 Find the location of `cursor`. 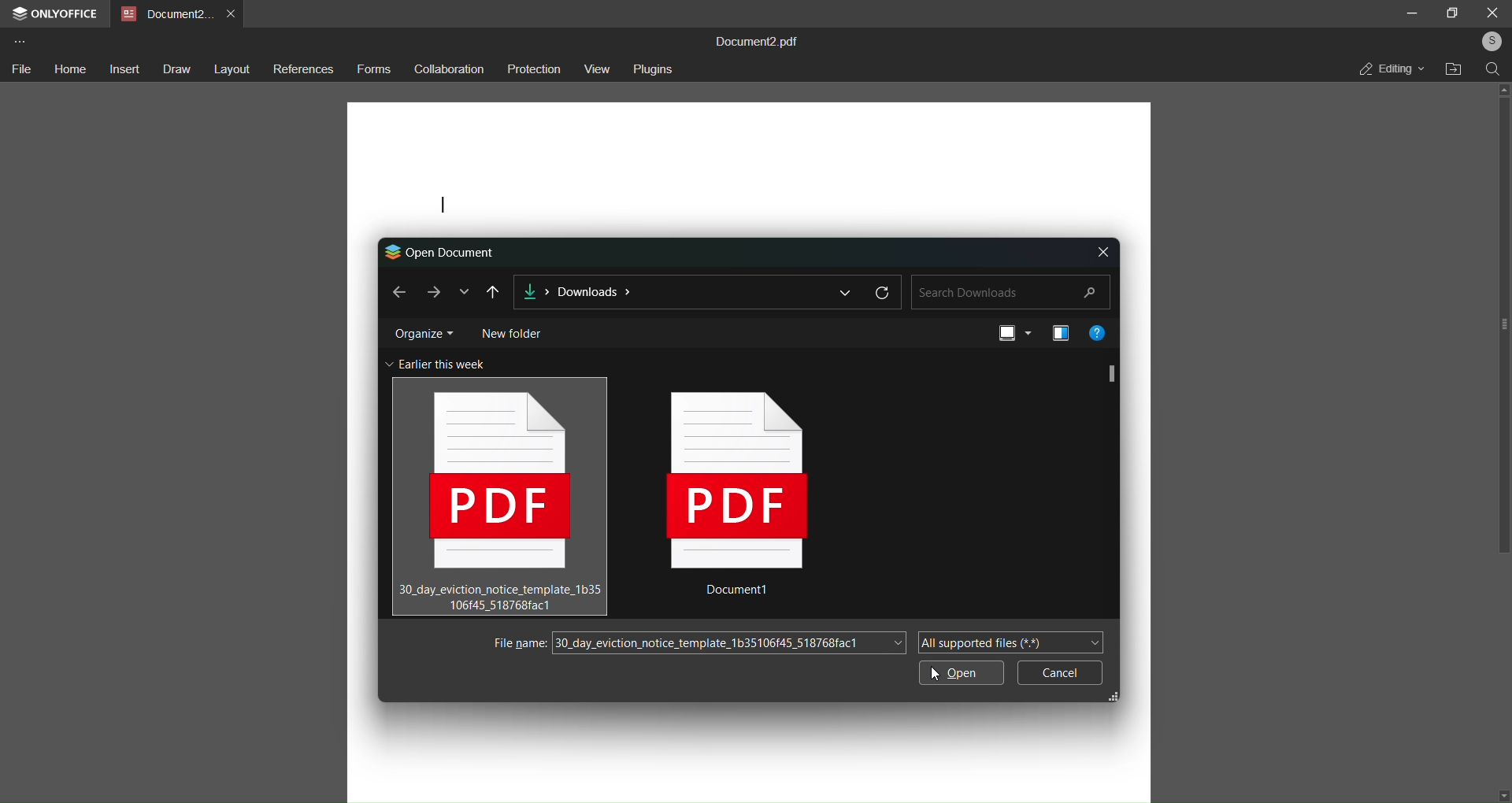

cursor is located at coordinates (524, 452).